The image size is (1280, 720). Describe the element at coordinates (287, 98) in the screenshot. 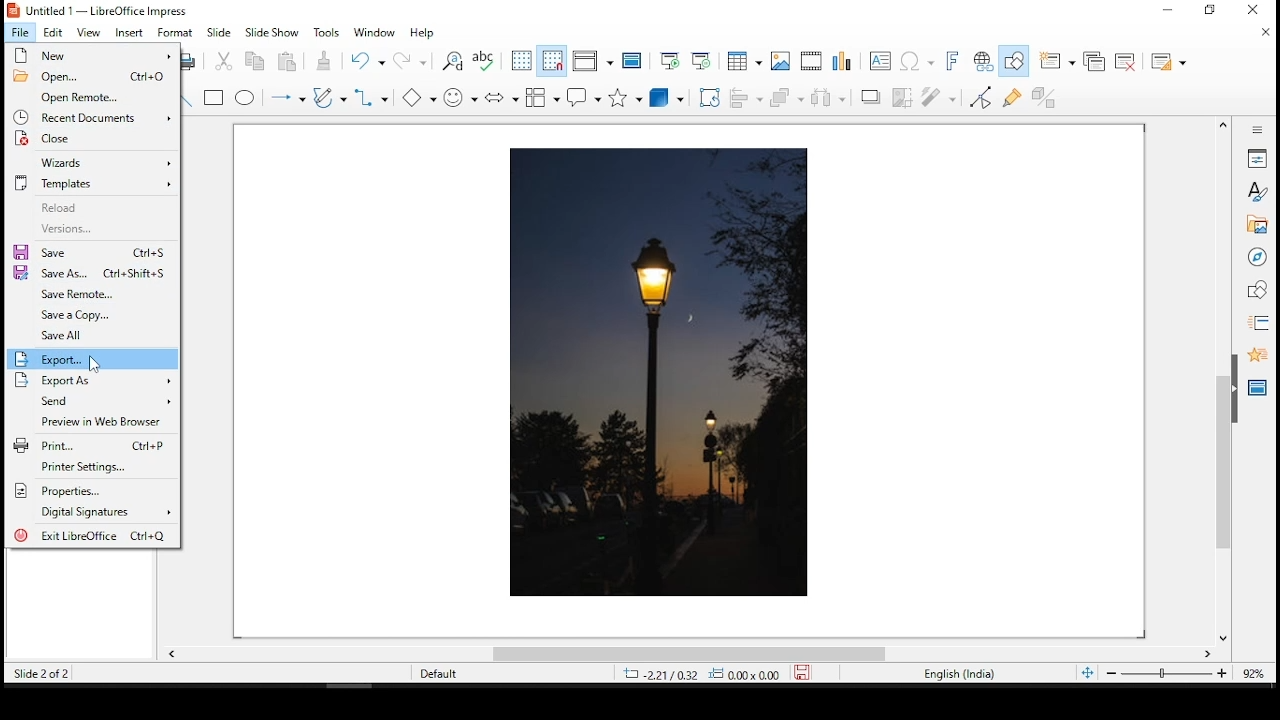

I see `lines and arrows` at that location.